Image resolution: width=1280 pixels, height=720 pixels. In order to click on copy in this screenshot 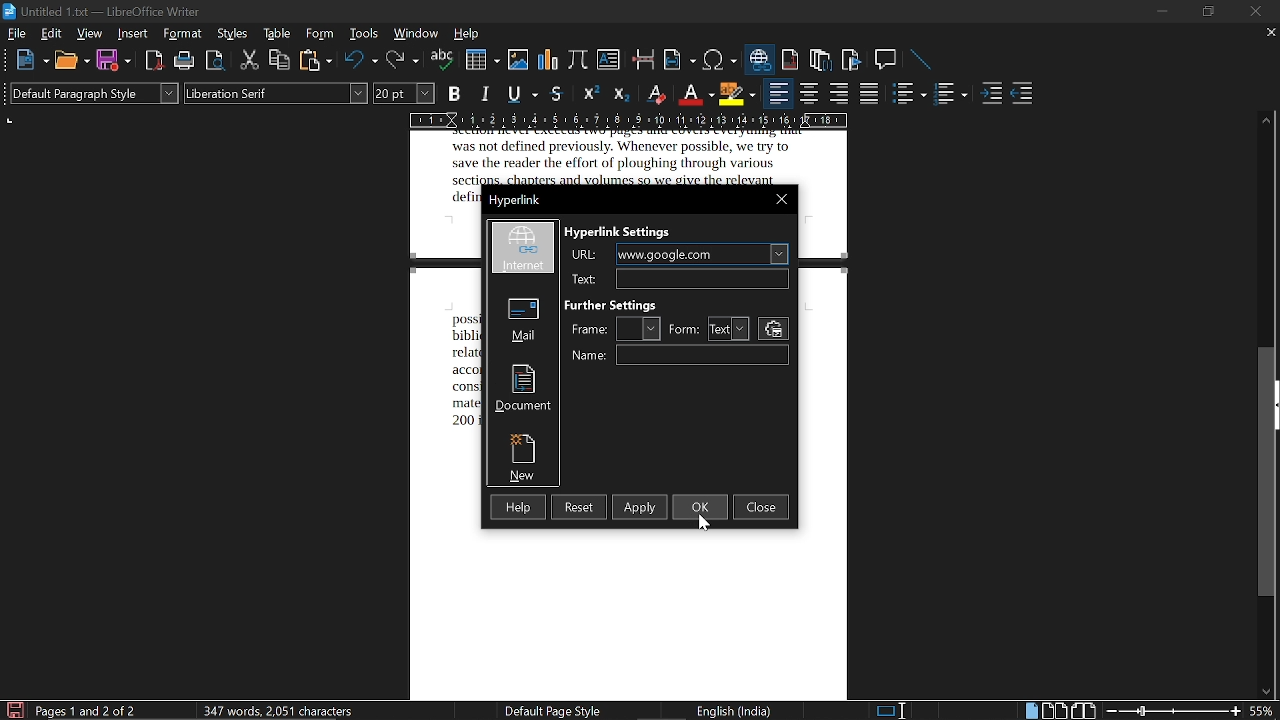, I will do `click(280, 61)`.